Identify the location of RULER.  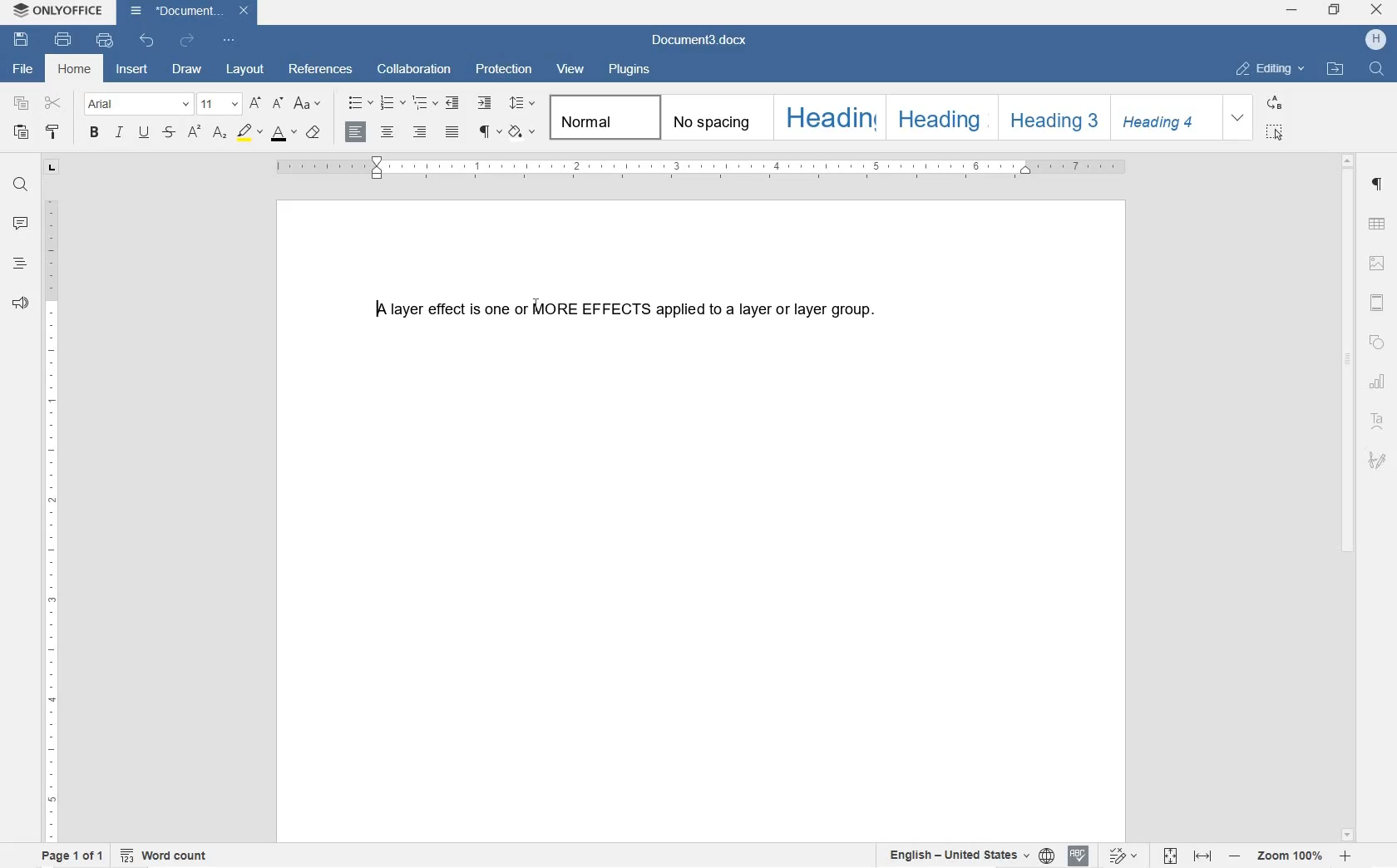
(702, 169).